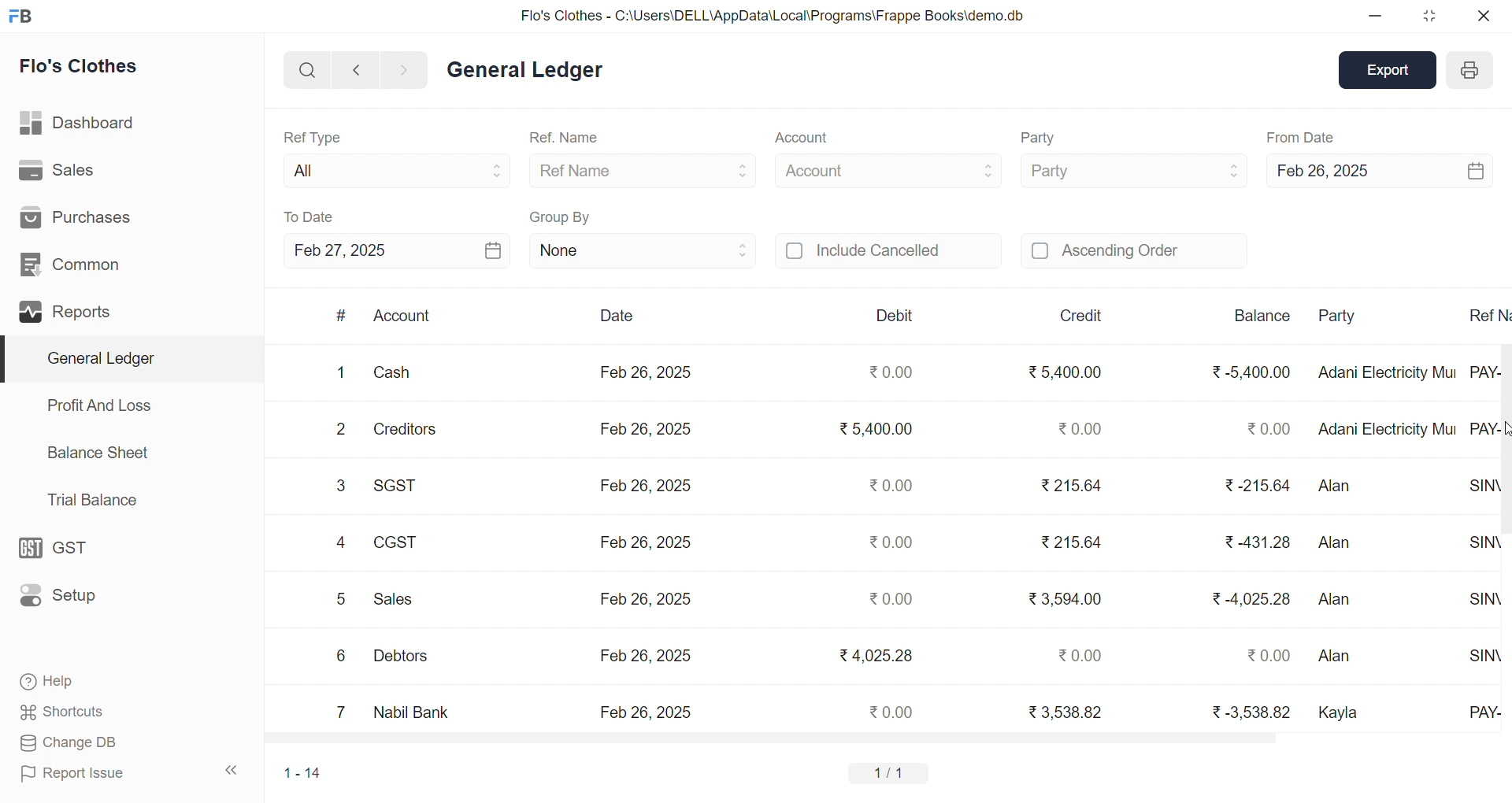 The height and width of the screenshot is (803, 1512). I want to click on Ref. Name, so click(565, 139).